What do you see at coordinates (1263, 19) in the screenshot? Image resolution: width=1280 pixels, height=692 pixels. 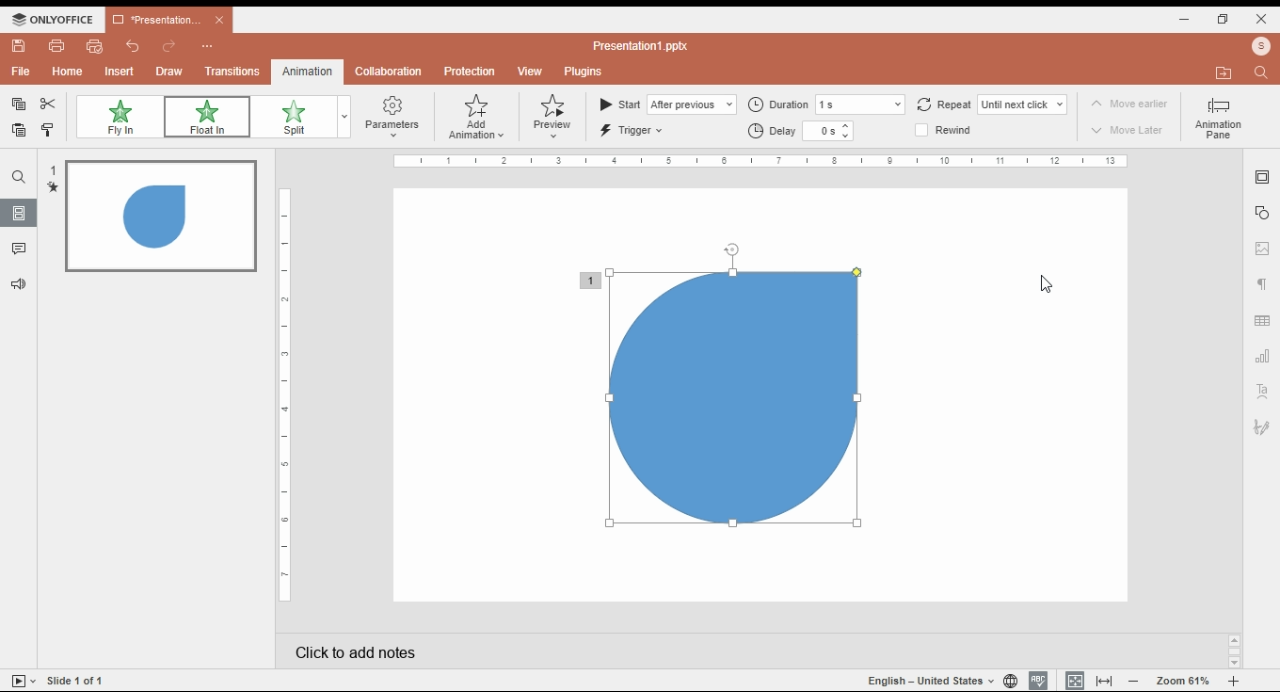 I see `close window` at bounding box center [1263, 19].